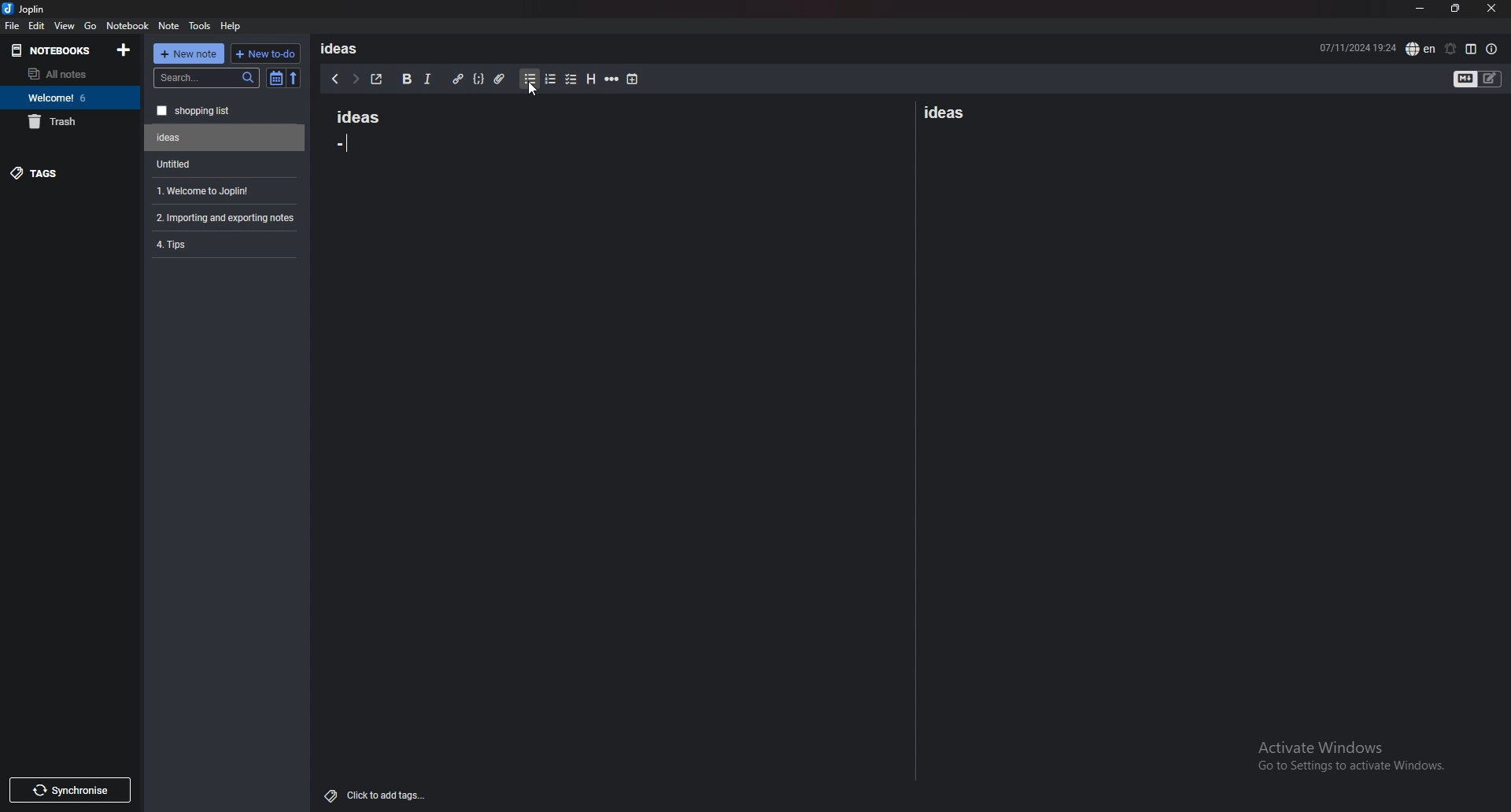 This screenshot has width=1511, height=812. Describe the element at coordinates (36, 9) in the screenshot. I see `Joplin` at that location.